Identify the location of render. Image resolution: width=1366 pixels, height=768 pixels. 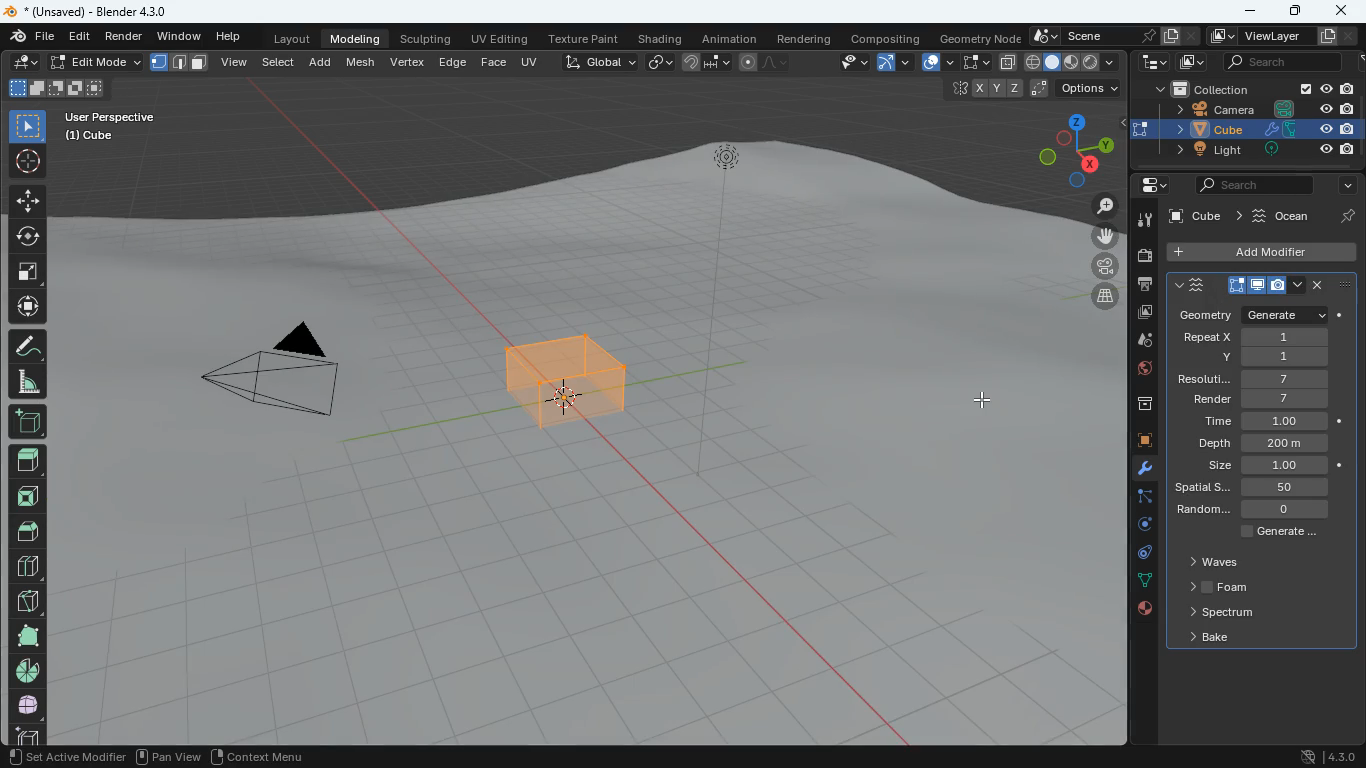
(1261, 399).